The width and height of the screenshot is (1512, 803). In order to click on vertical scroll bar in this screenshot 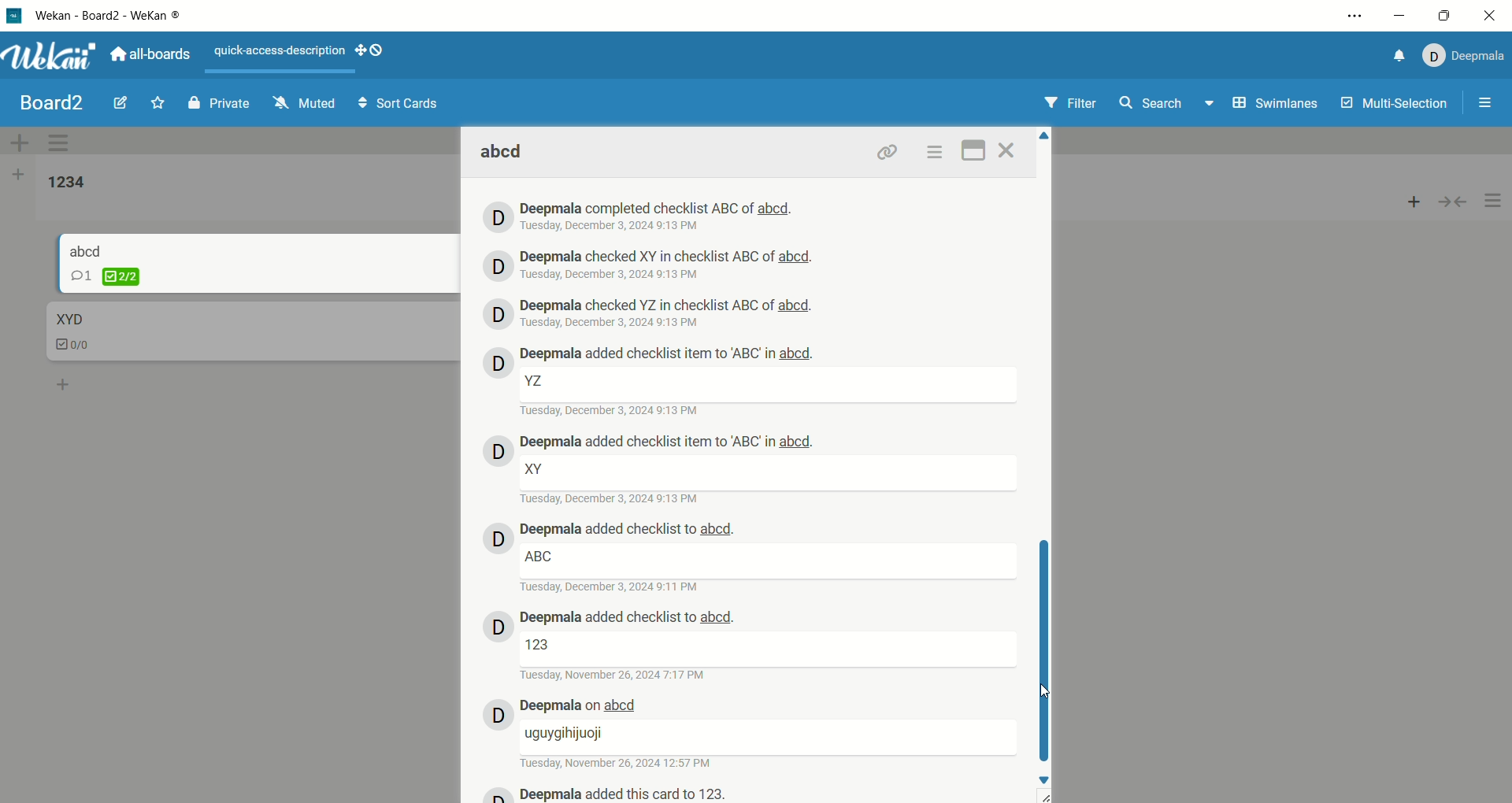, I will do `click(1046, 645)`.